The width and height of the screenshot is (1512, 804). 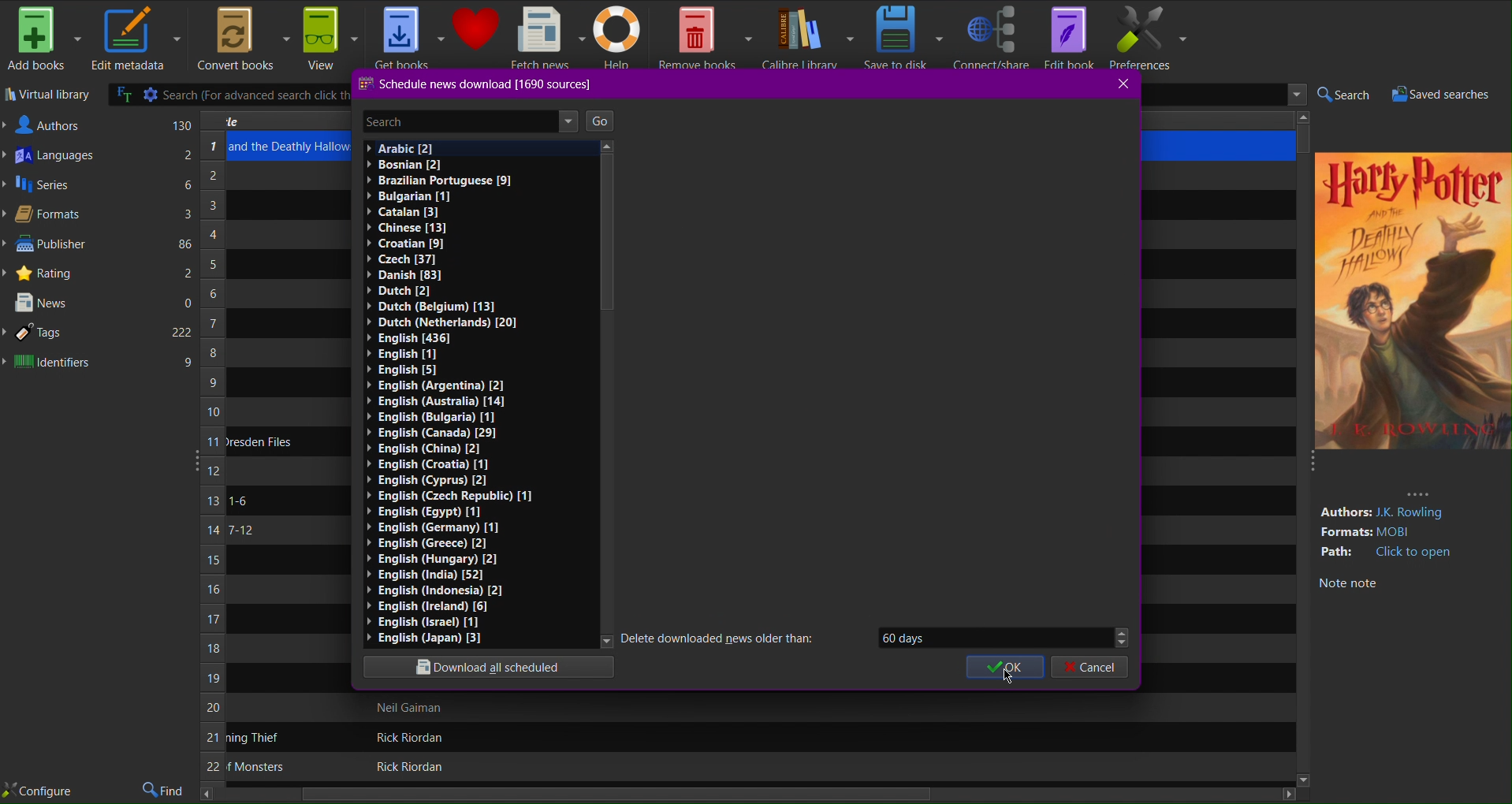 I want to click on Schedule news download, so click(x=477, y=85).